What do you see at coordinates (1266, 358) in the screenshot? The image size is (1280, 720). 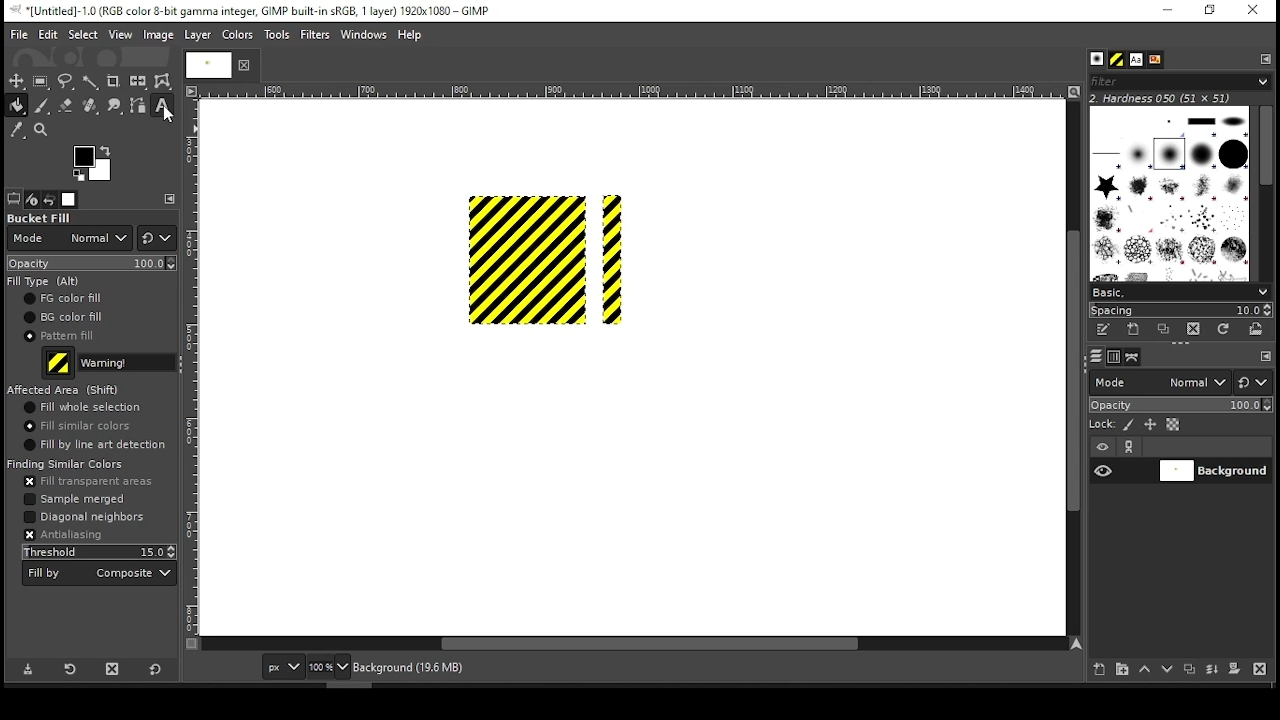 I see `configure this tab` at bounding box center [1266, 358].